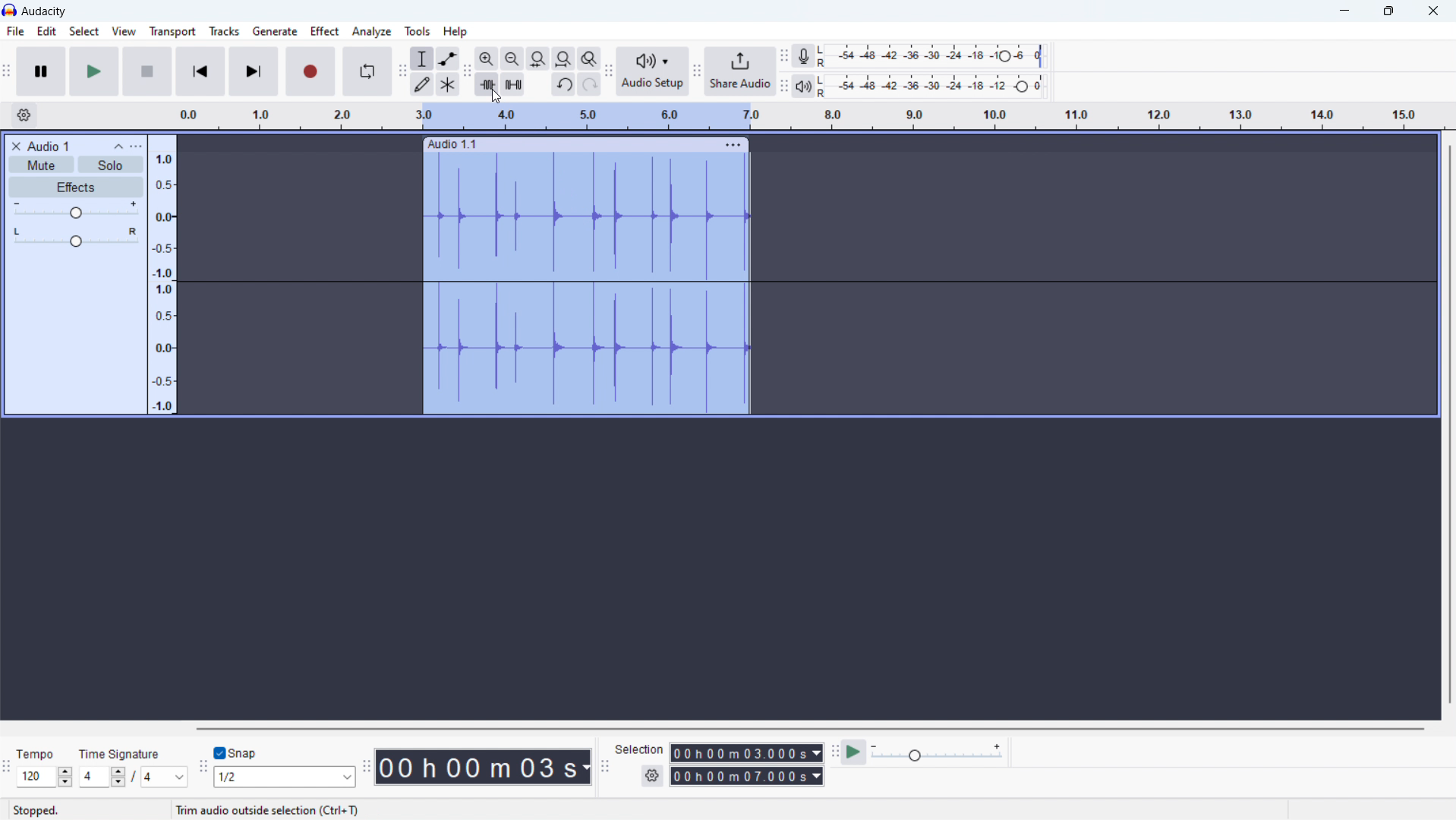 This screenshot has width=1456, height=820. What do you see at coordinates (784, 87) in the screenshot?
I see `playback meter toolbar` at bounding box center [784, 87].